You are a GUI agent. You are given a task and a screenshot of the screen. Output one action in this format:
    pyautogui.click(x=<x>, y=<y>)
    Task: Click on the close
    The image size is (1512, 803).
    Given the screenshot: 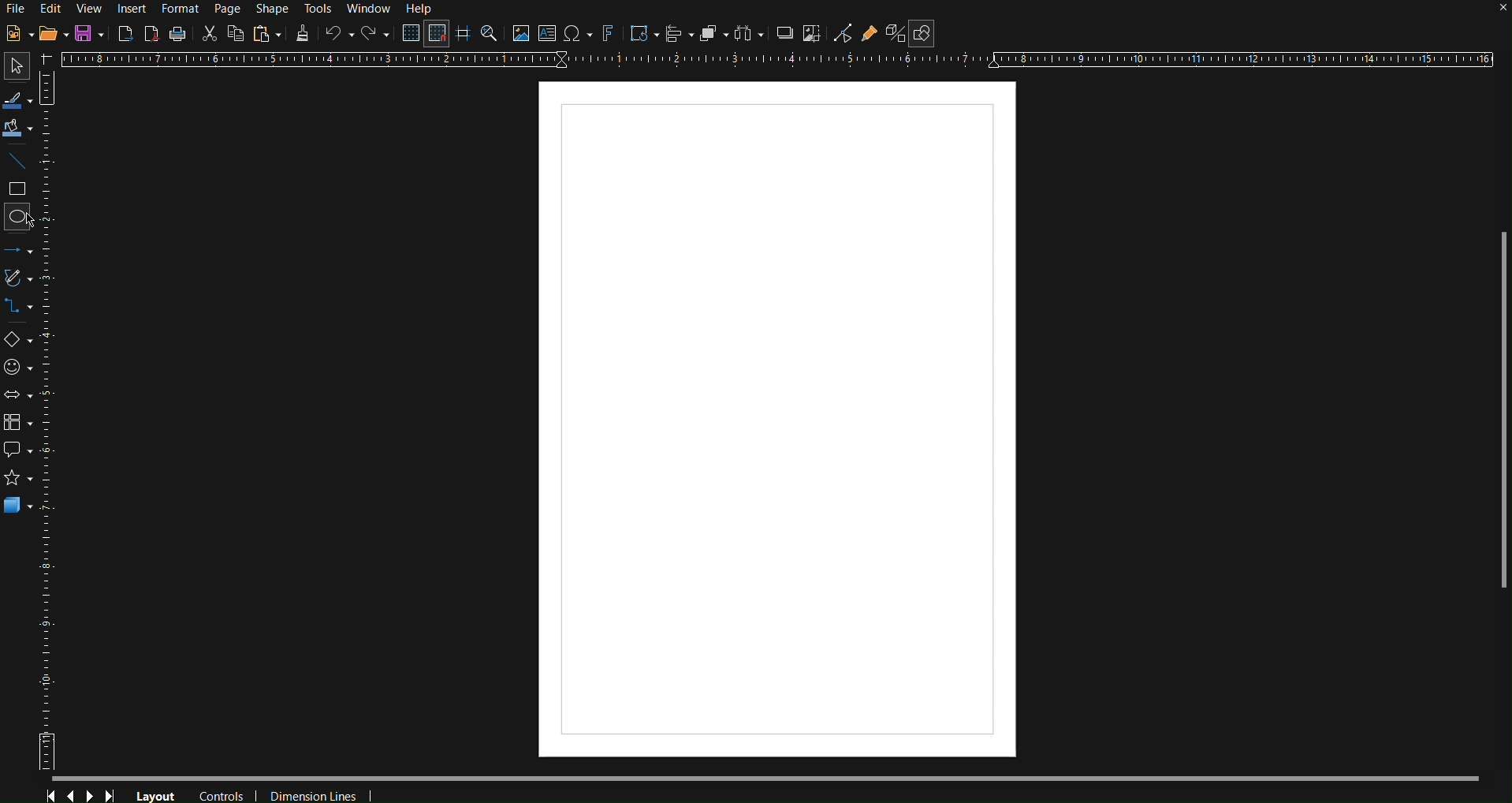 What is the action you would take?
    pyautogui.click(x=1502, y=9)
    